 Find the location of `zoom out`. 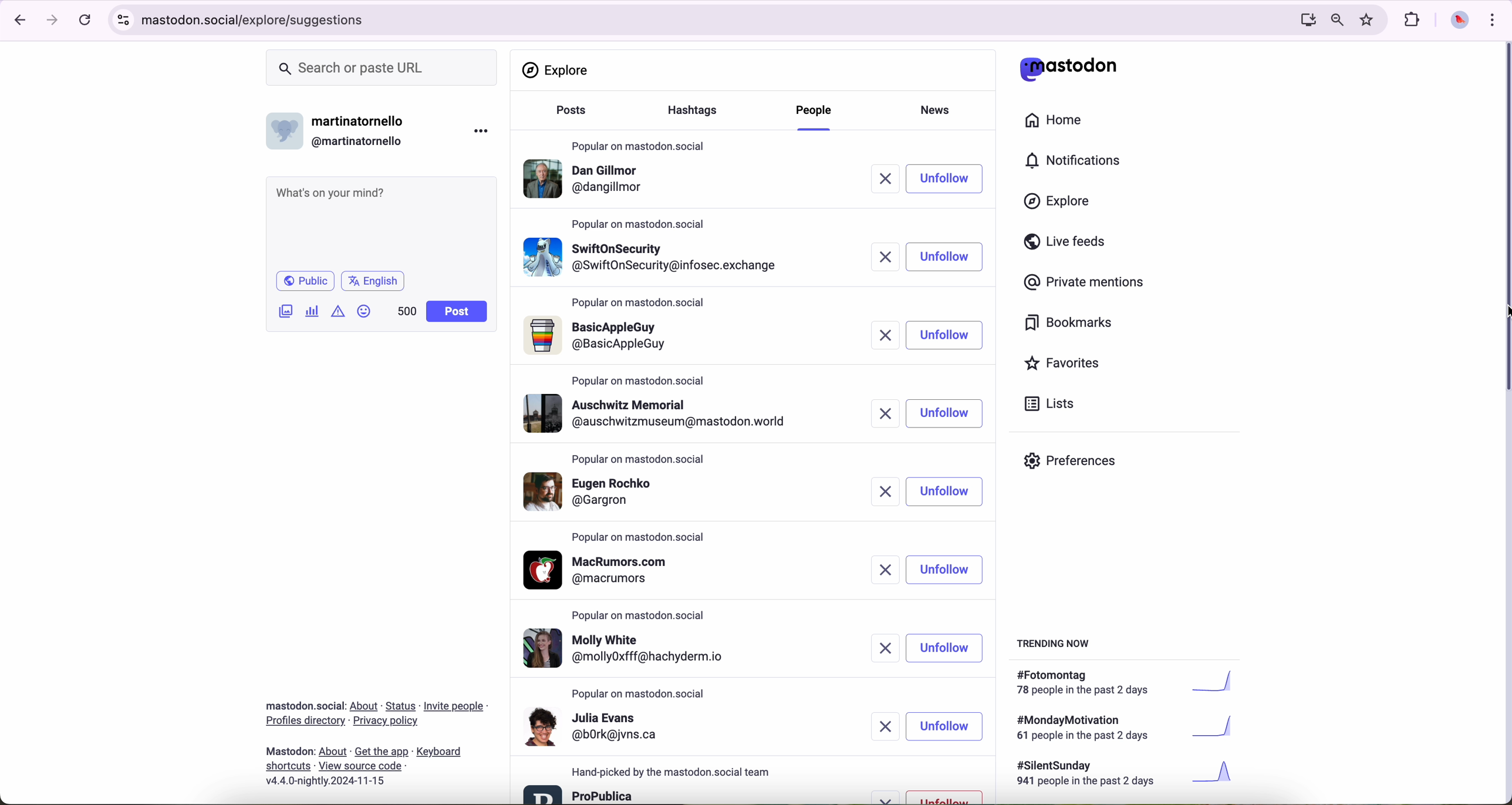

zoom out is located at coordinates (1336, 19).